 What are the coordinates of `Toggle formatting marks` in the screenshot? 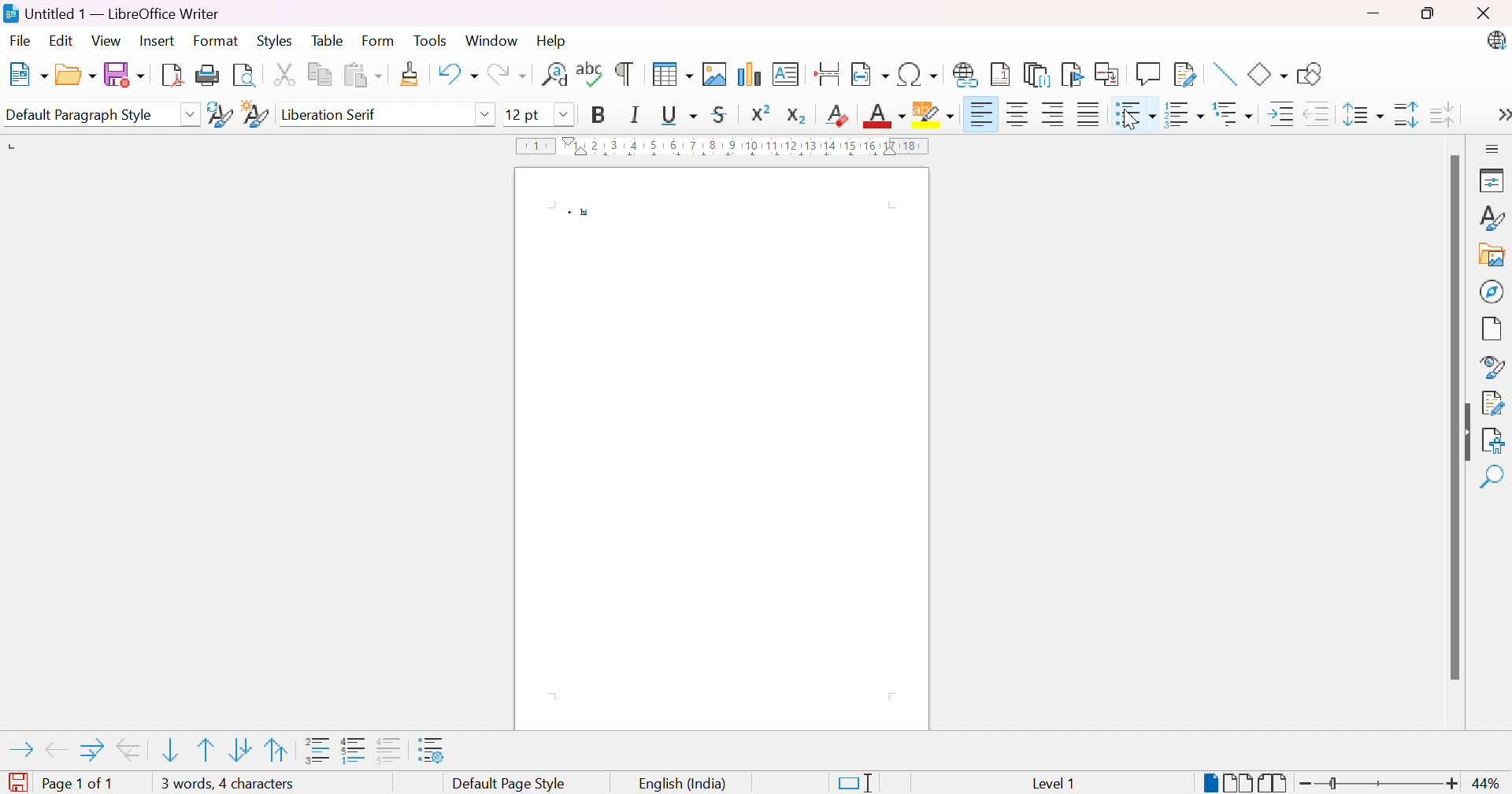 It's located at (626, 72).